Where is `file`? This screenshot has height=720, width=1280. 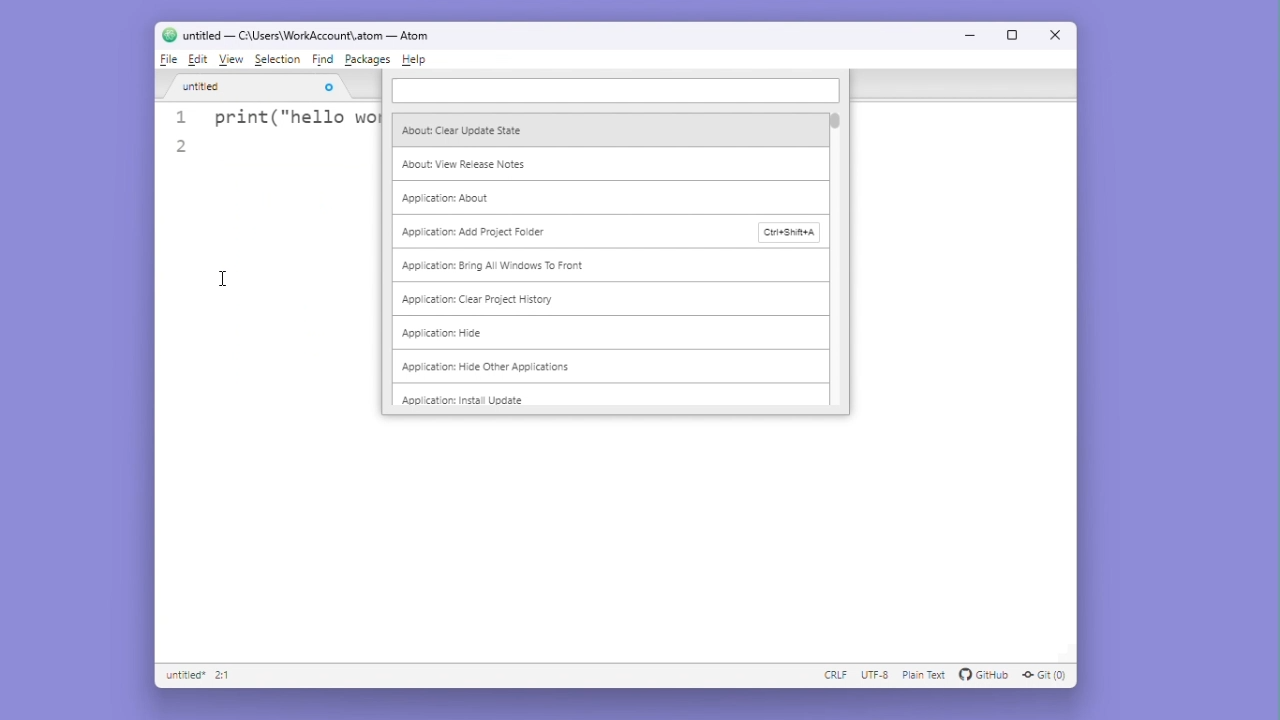
file is located at coordinates (168, 60).